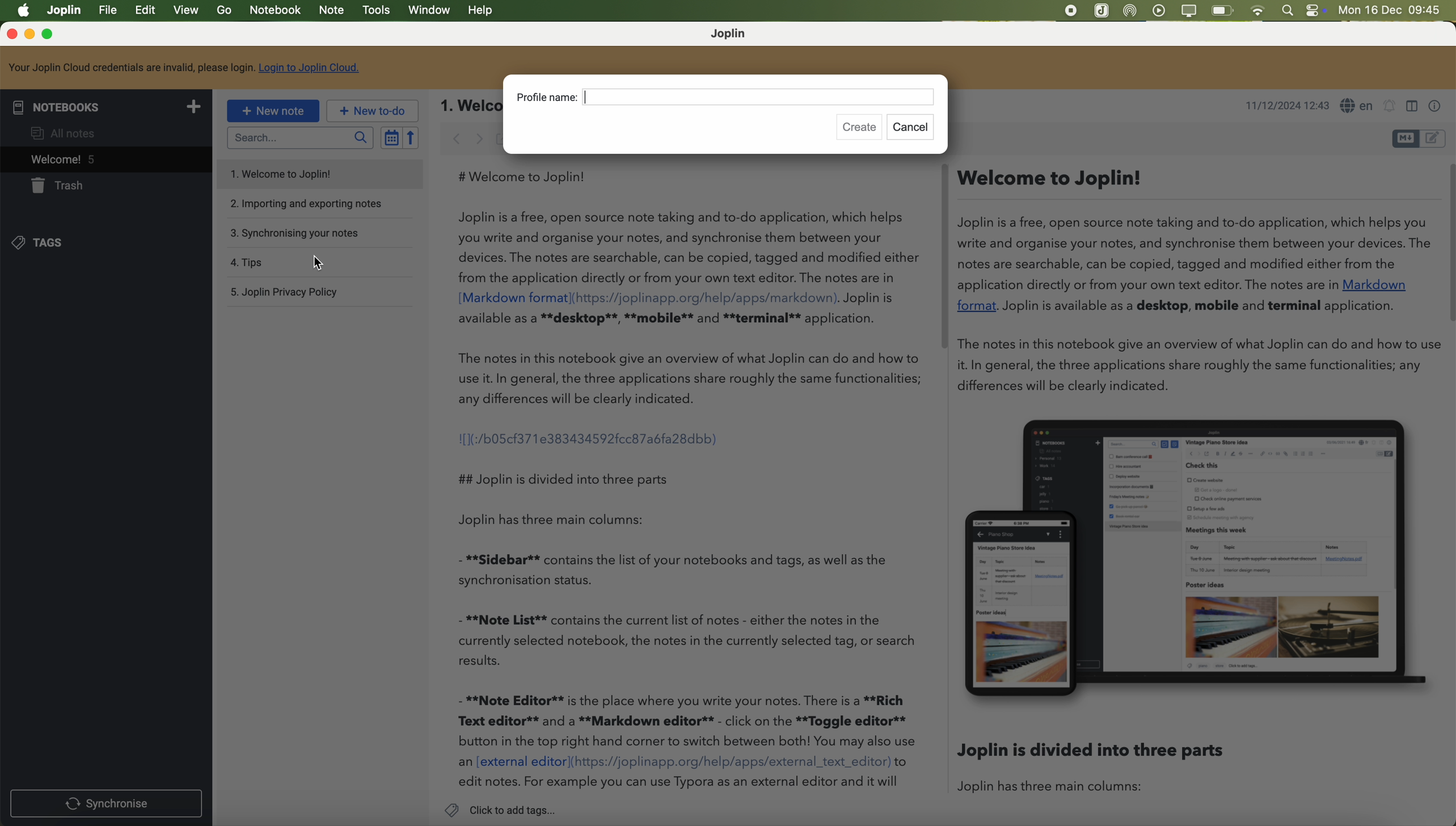 Image resolution: width=1456 pixels, height=826 pixels. Describe the element at coordinates (130, 68) in the screenshot. I see `Your Joplin Cloud credentials are invalid, please login.` at that location.